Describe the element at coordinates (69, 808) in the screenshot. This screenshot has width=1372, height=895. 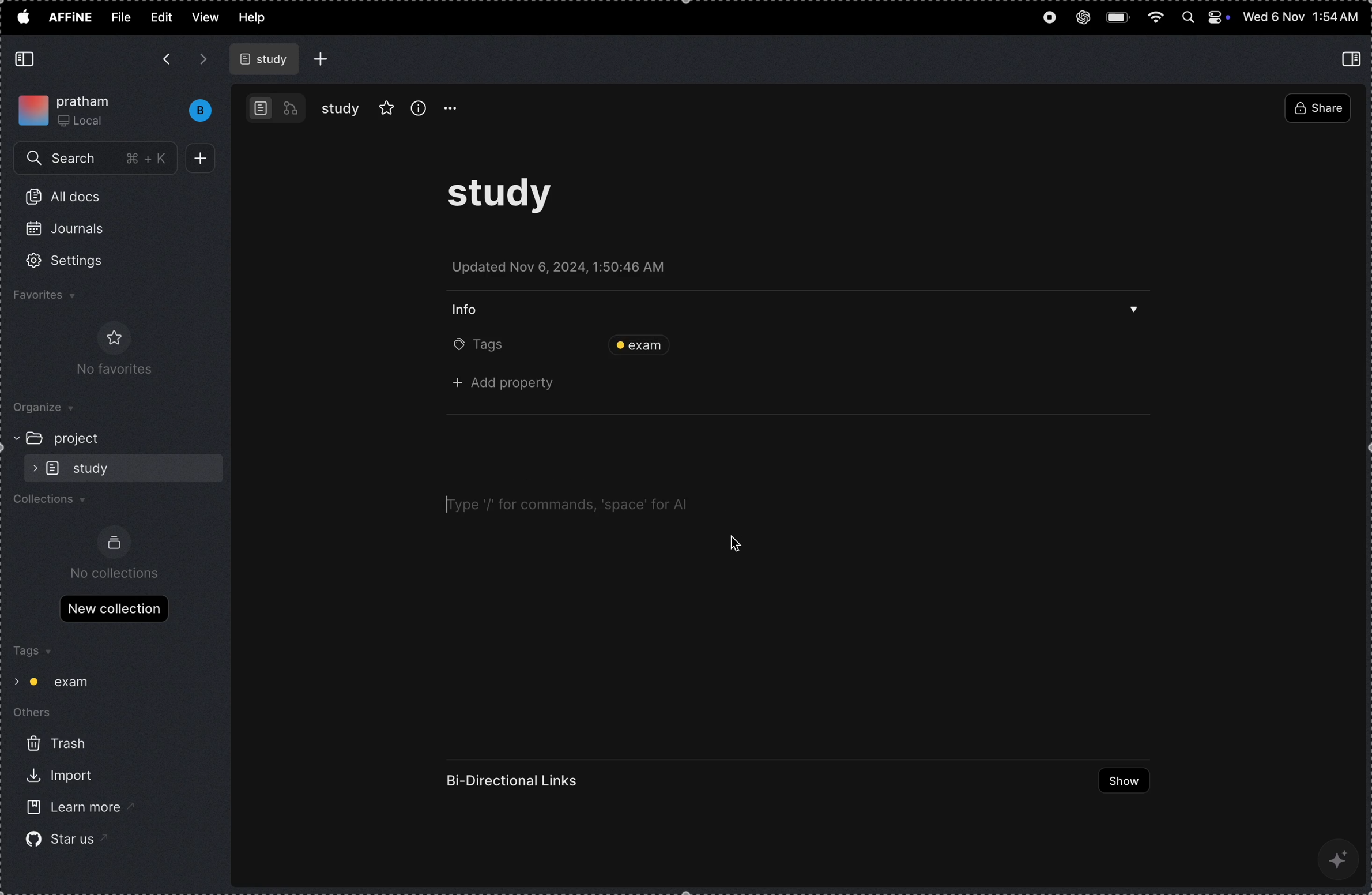
I see `learn more` at that location.